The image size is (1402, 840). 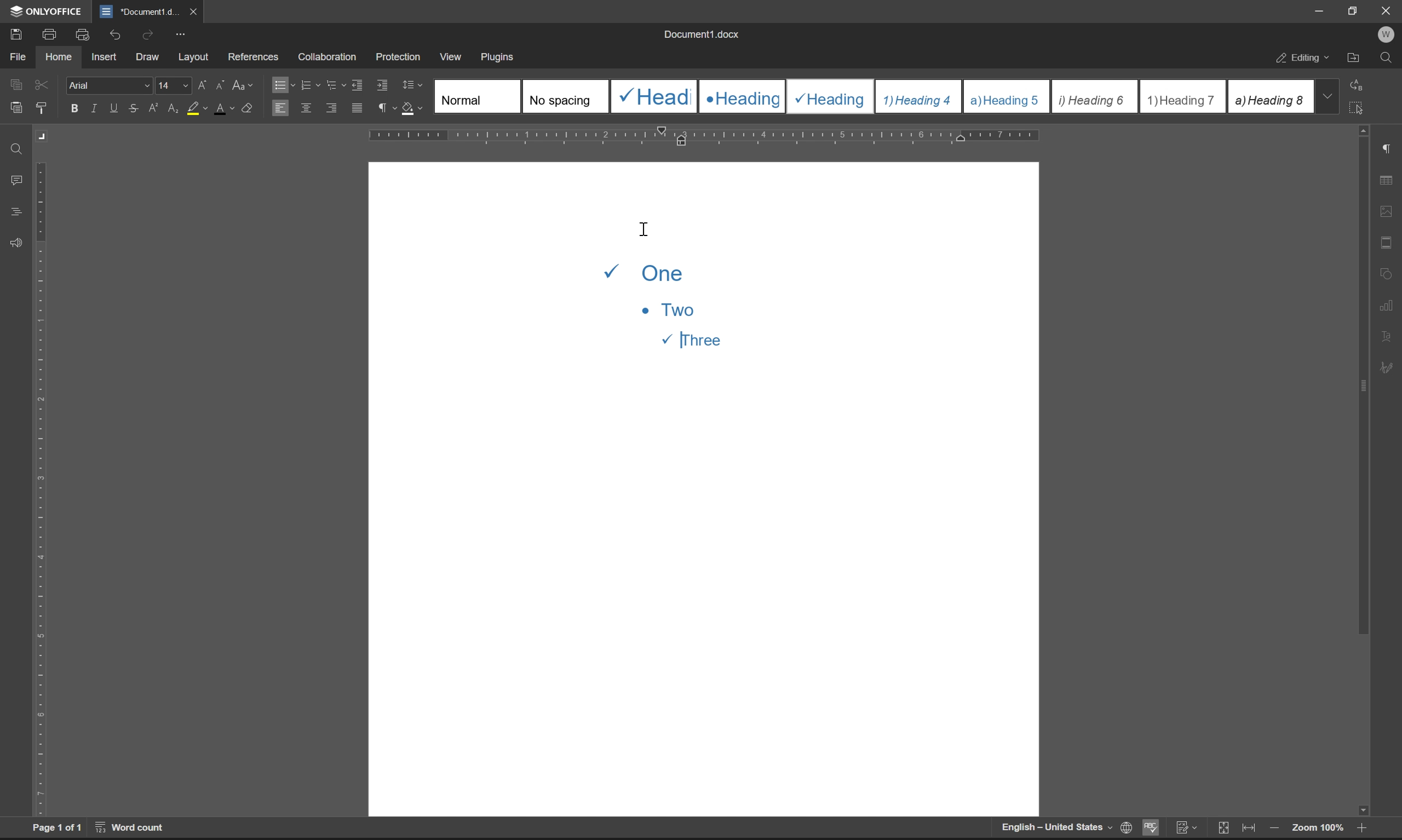 What do you see at coordinates (53, 33) in the screenshot?
I see `print` at bounding box center [53, 33].